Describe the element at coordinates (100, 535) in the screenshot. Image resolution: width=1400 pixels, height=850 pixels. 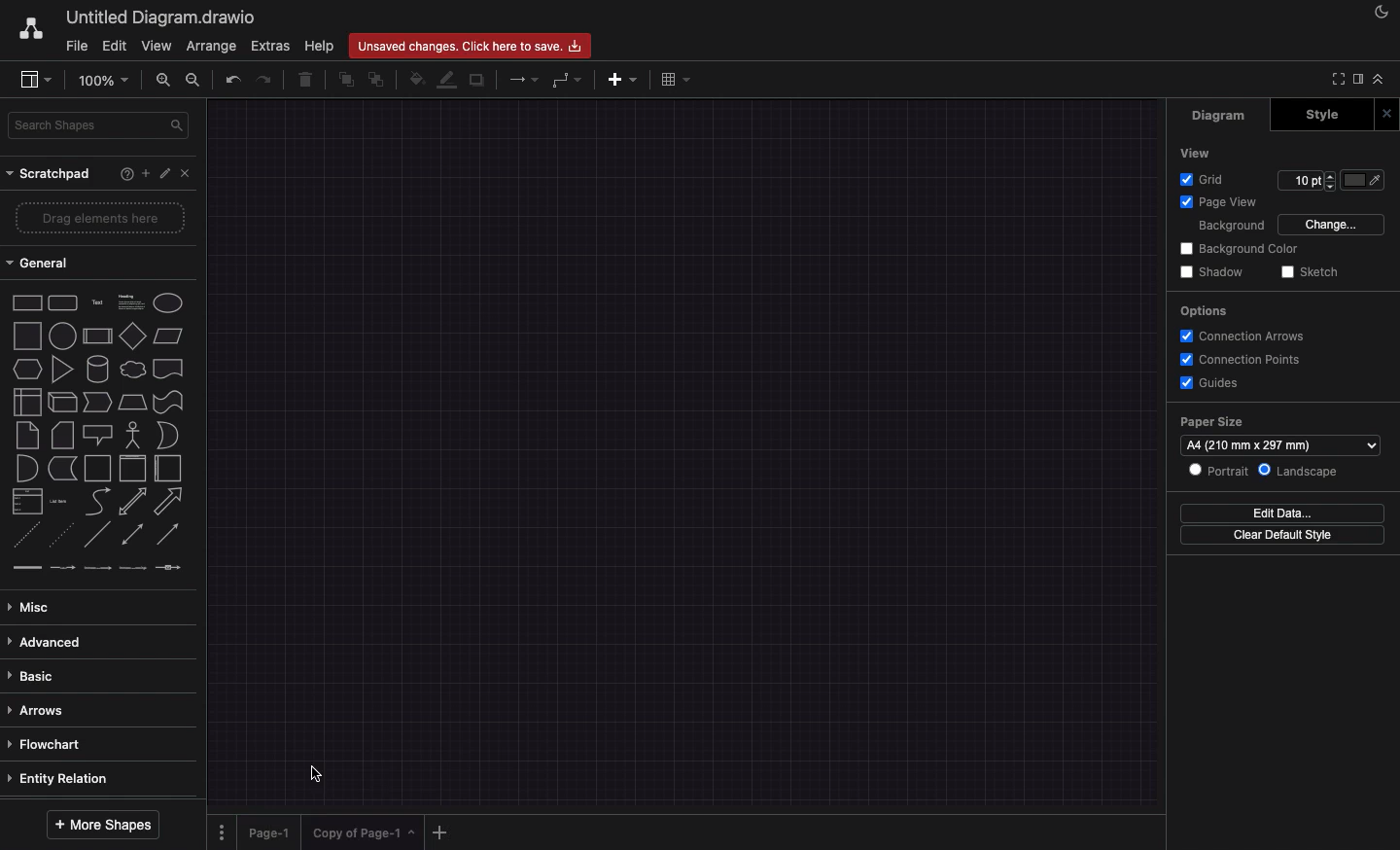
I see `line` at that location.